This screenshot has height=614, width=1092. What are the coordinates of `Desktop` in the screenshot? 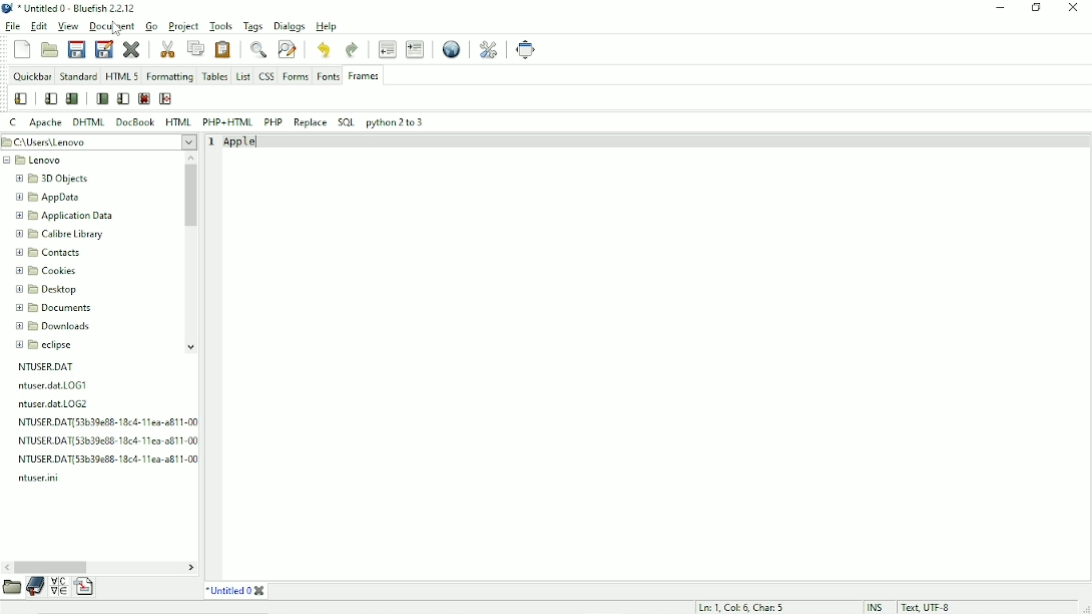 It's located at (49, 290).